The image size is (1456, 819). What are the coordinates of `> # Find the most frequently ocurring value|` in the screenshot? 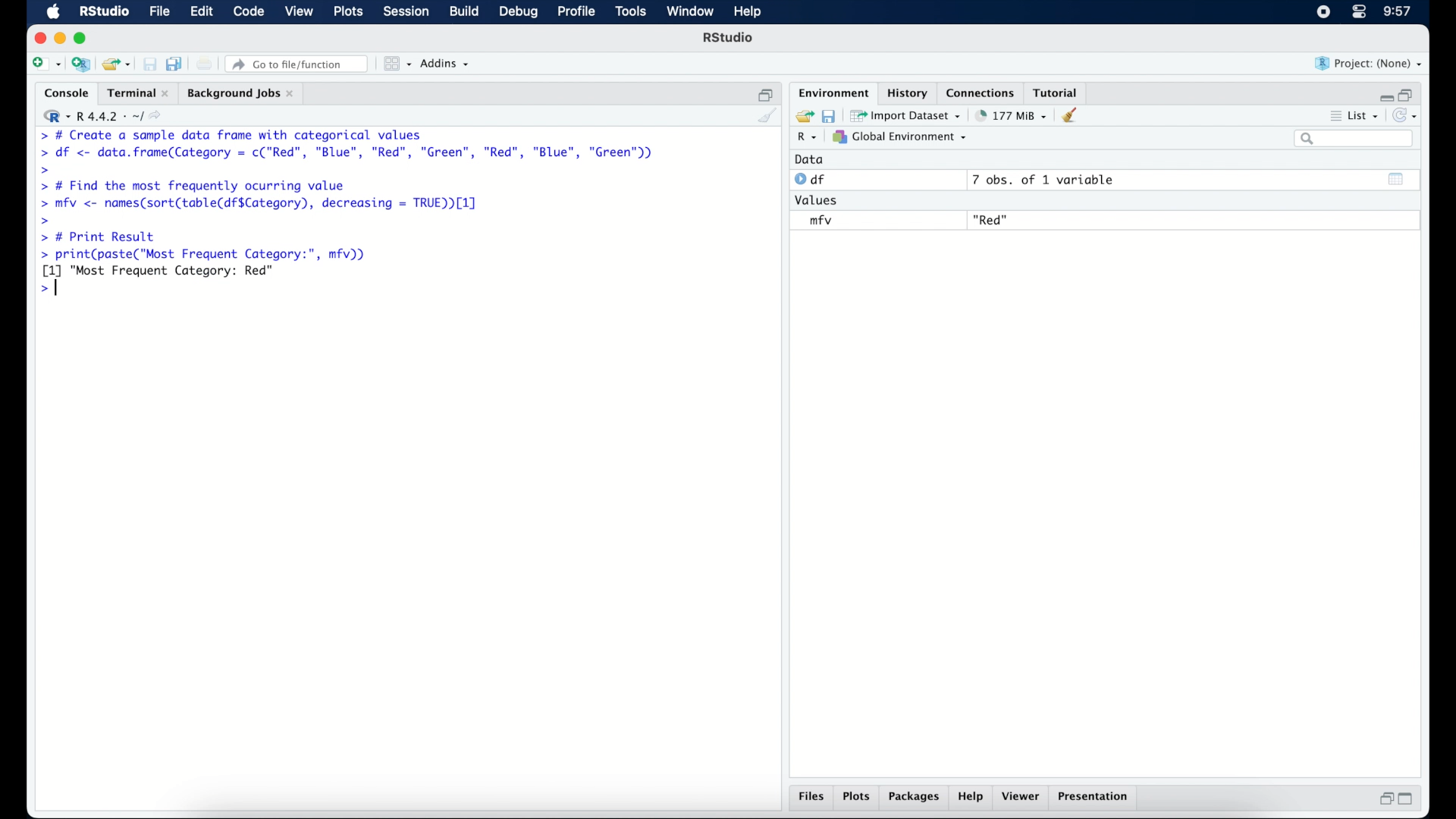 It's located at (202, 187).